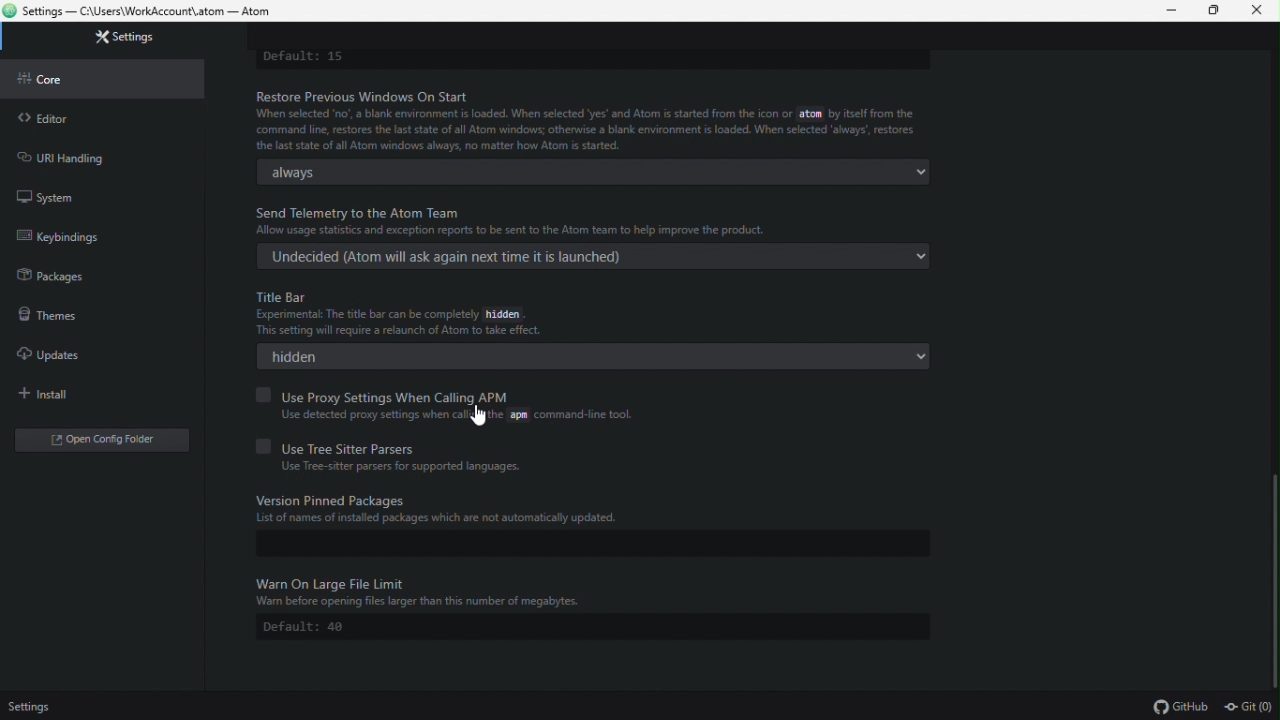 The image size is (1280, 720). I want to click on close, so click(1258, 11).